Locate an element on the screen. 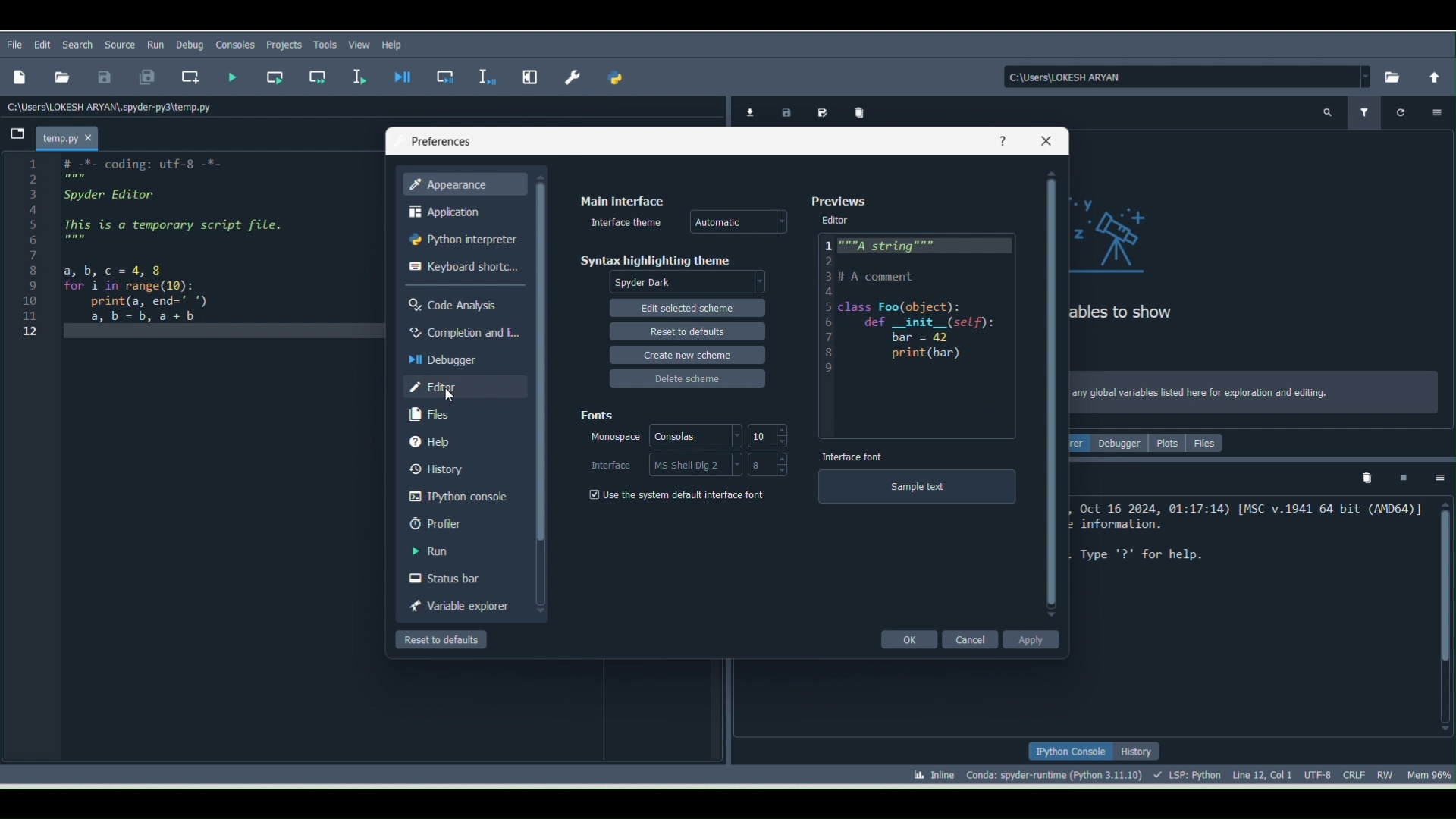  Run selection or current line (F9) is located at coordinates (360, 78).